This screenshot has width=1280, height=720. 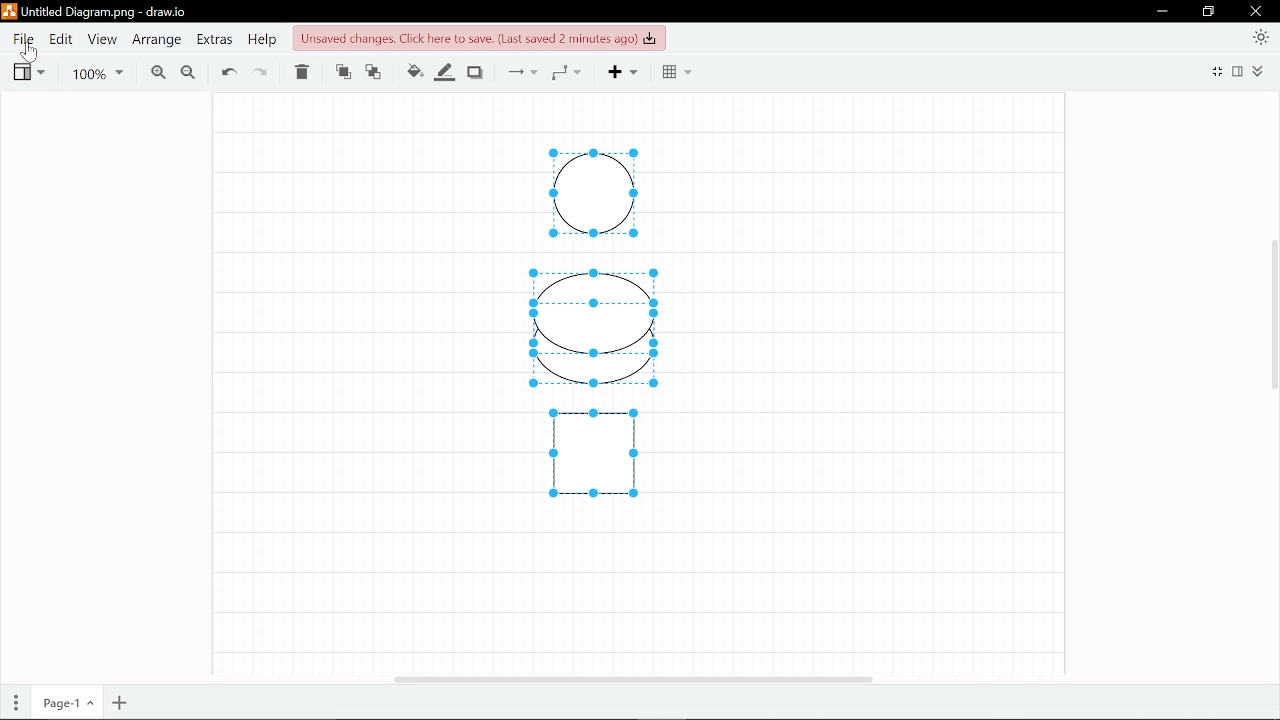 What do you see at coordinates (57, 40) in the screenshot?
I see `Edit` at bounding box center [57, 40].